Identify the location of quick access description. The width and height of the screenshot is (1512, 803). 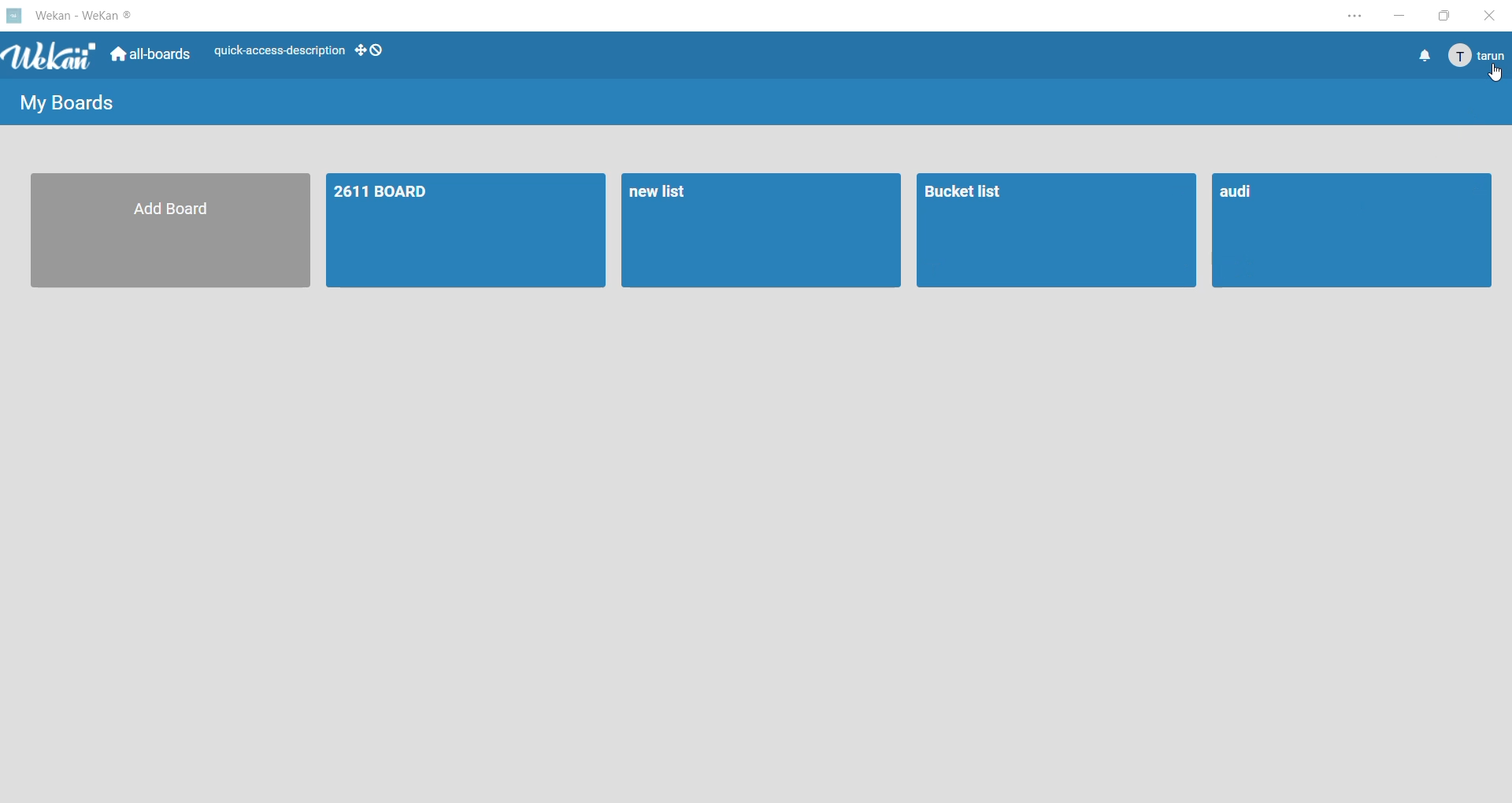
(274, 51).